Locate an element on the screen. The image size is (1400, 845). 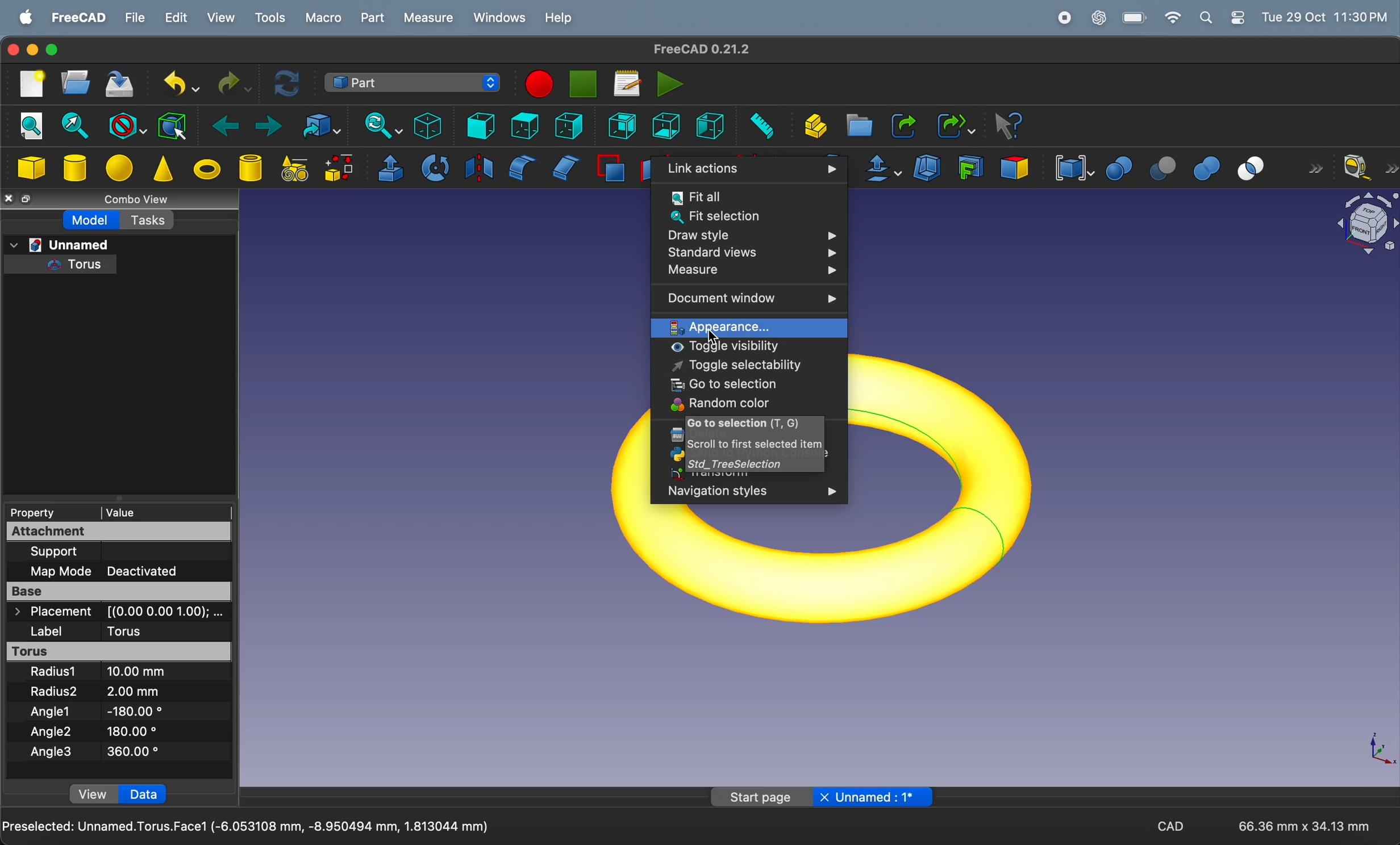
switch between work benches is located at coordinates (413, 83).